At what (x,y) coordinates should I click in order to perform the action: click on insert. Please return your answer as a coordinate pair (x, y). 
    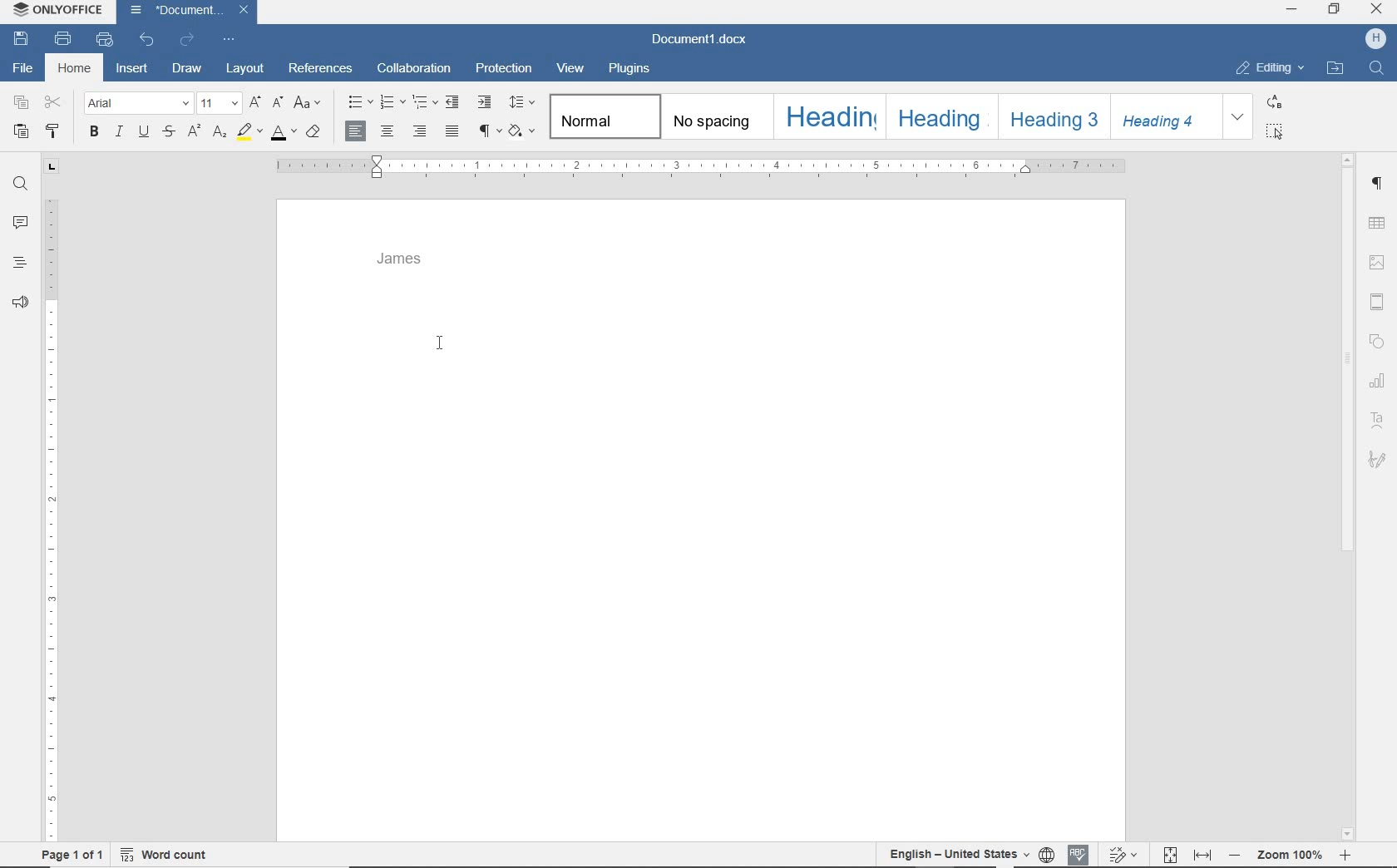
    Looking at the image, I should click on (133, 67).